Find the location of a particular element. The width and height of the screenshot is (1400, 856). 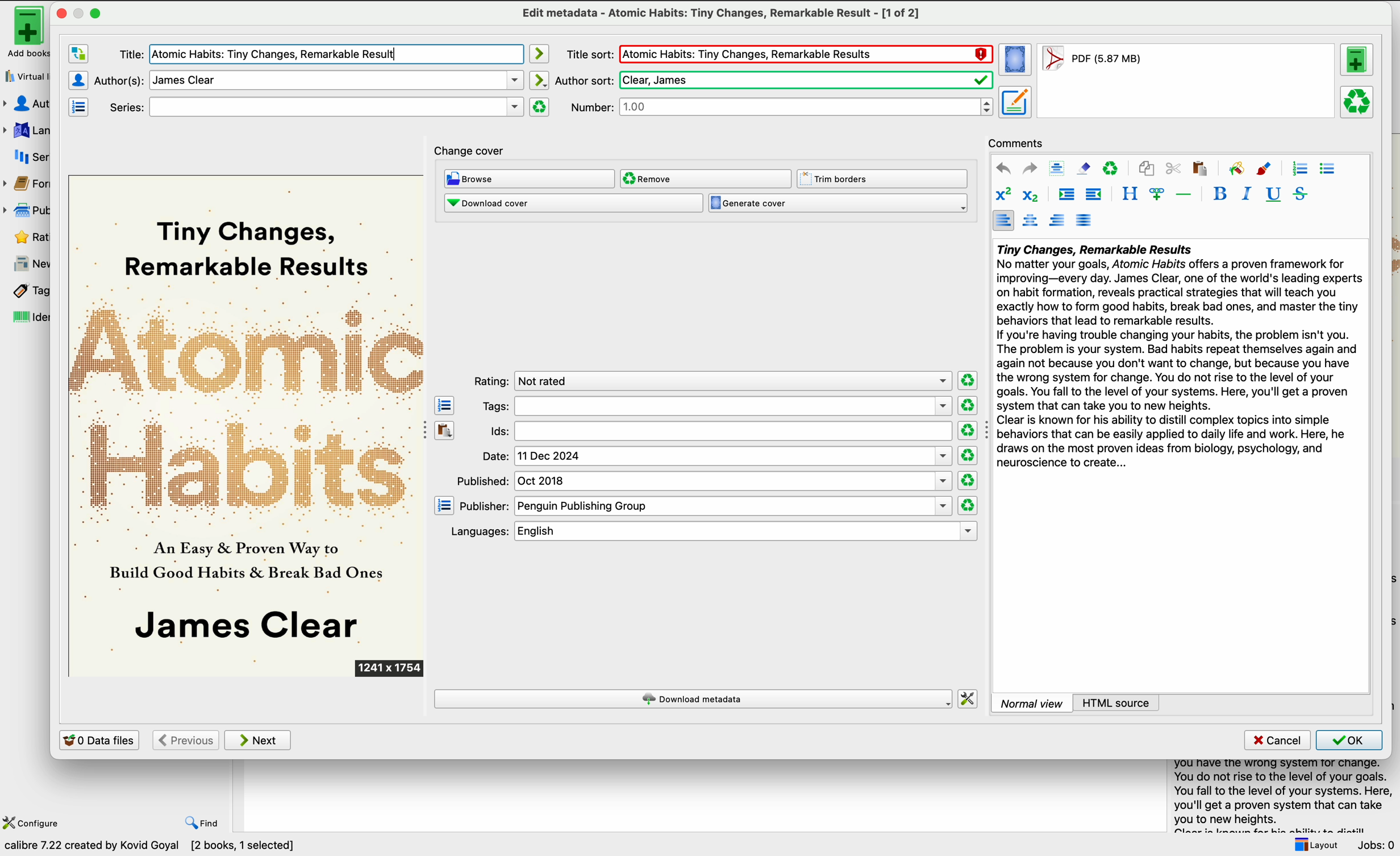

select all is located at coordinates (1057, 168).